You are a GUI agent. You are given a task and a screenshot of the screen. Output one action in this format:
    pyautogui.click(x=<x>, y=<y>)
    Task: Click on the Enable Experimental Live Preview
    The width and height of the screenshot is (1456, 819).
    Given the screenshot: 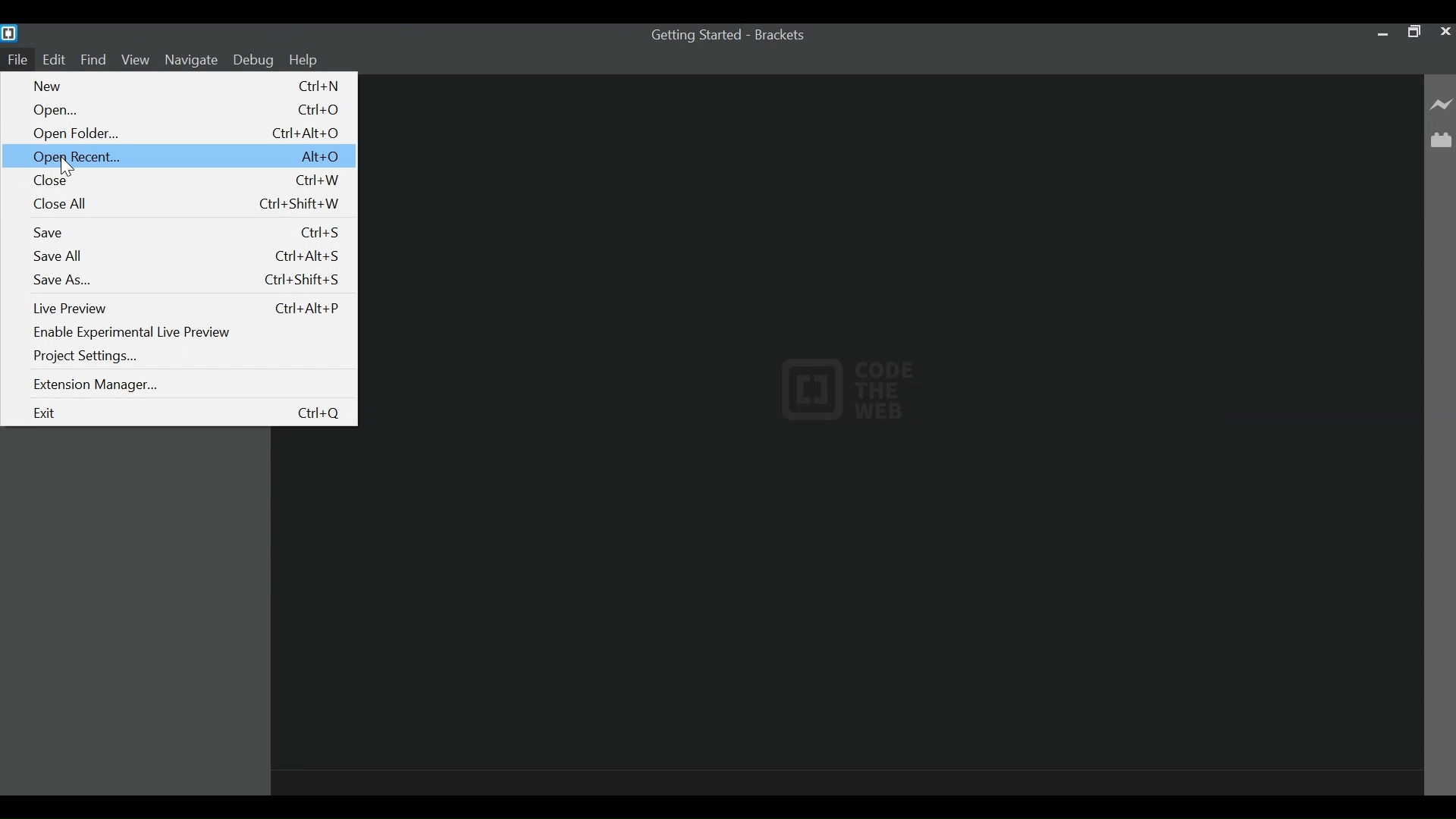 What is the action you would take?
    pyautogui.click(x=138, y=331)
    